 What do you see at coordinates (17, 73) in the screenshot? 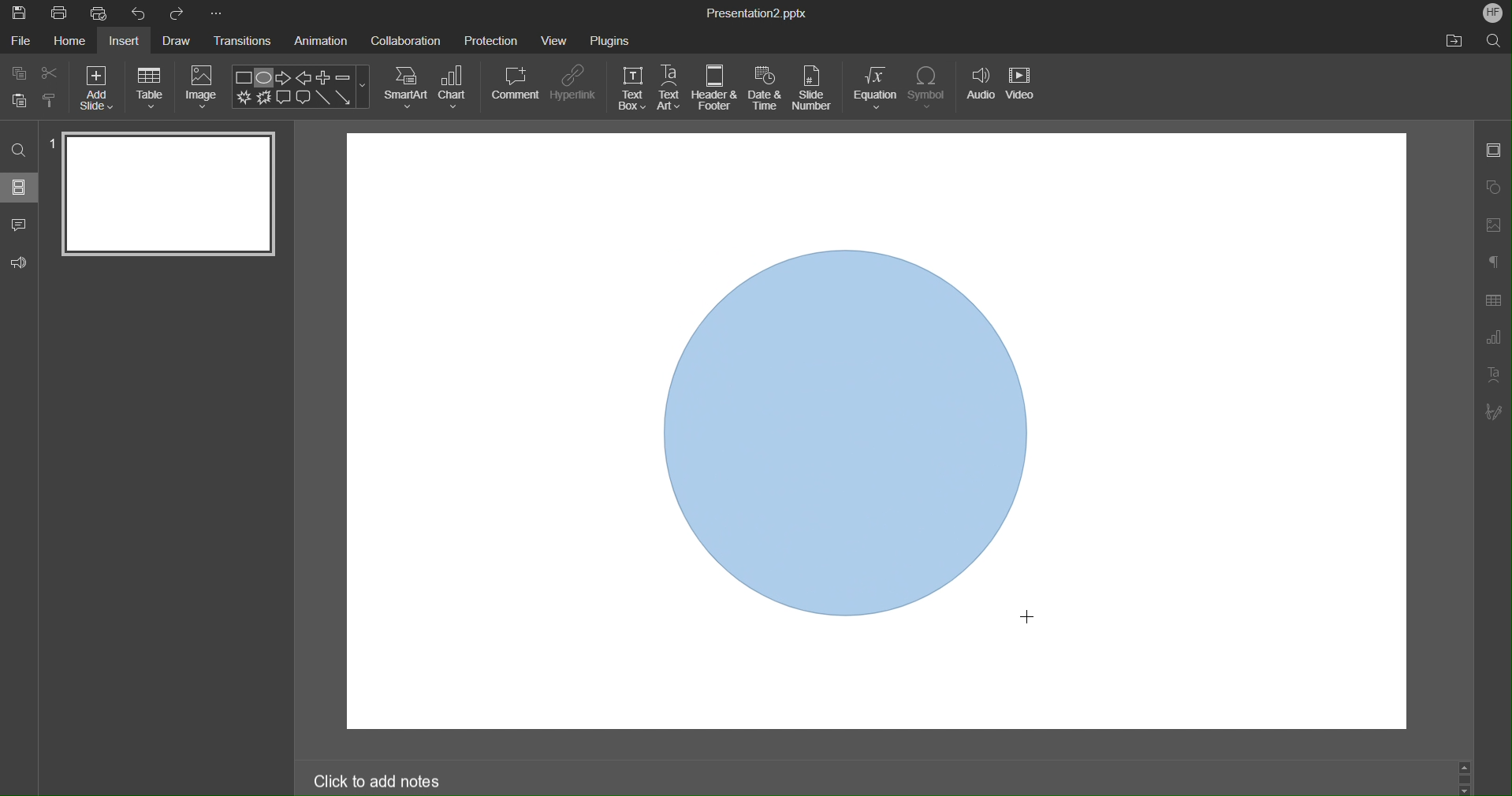
I see `Copy` at bounding box center [17, 73].